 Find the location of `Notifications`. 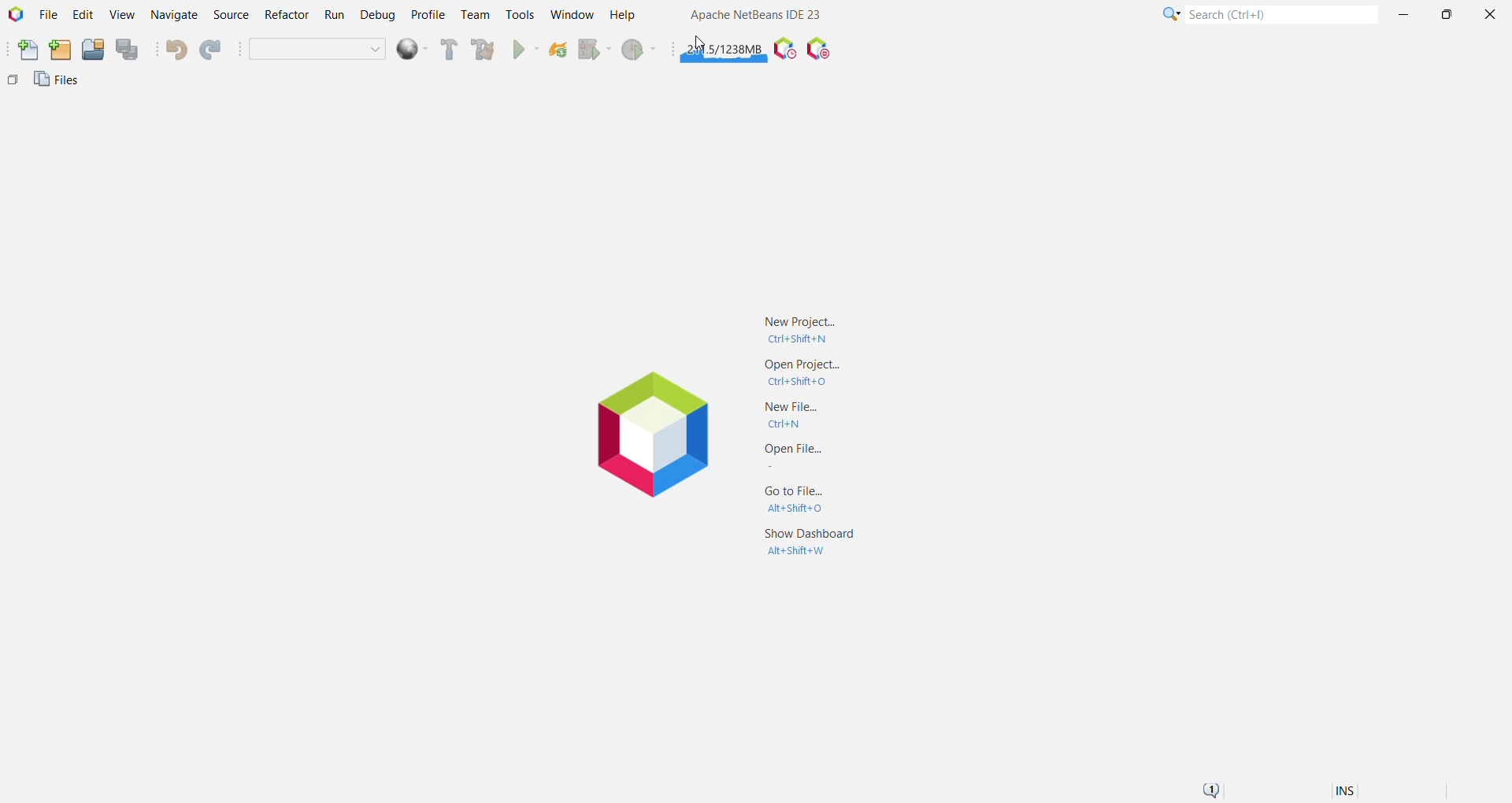

Notifications is located at coordinates (1210, 791).